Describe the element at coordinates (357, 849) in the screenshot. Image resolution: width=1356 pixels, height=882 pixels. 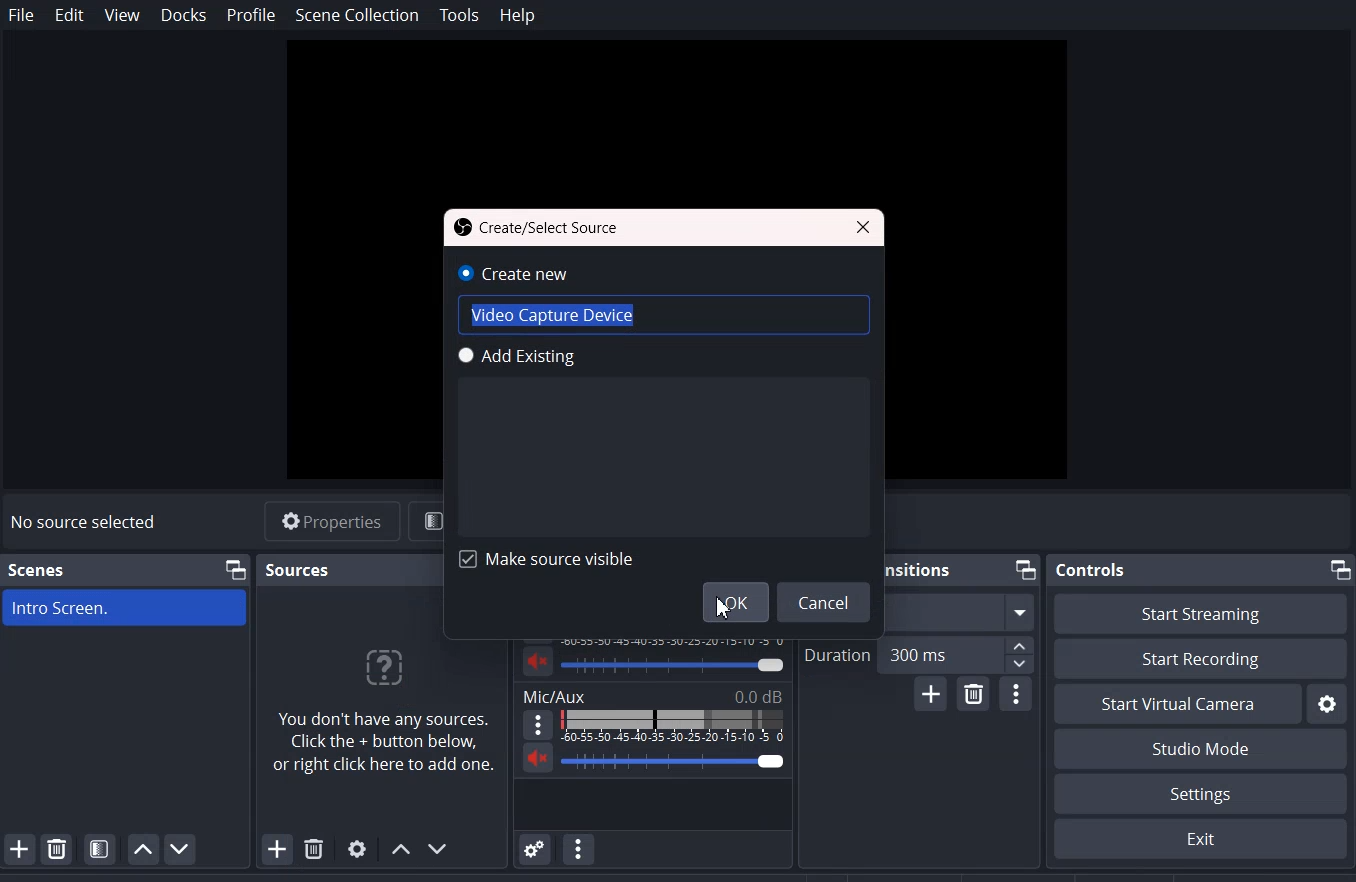
I see `Open source Properties` at that location.